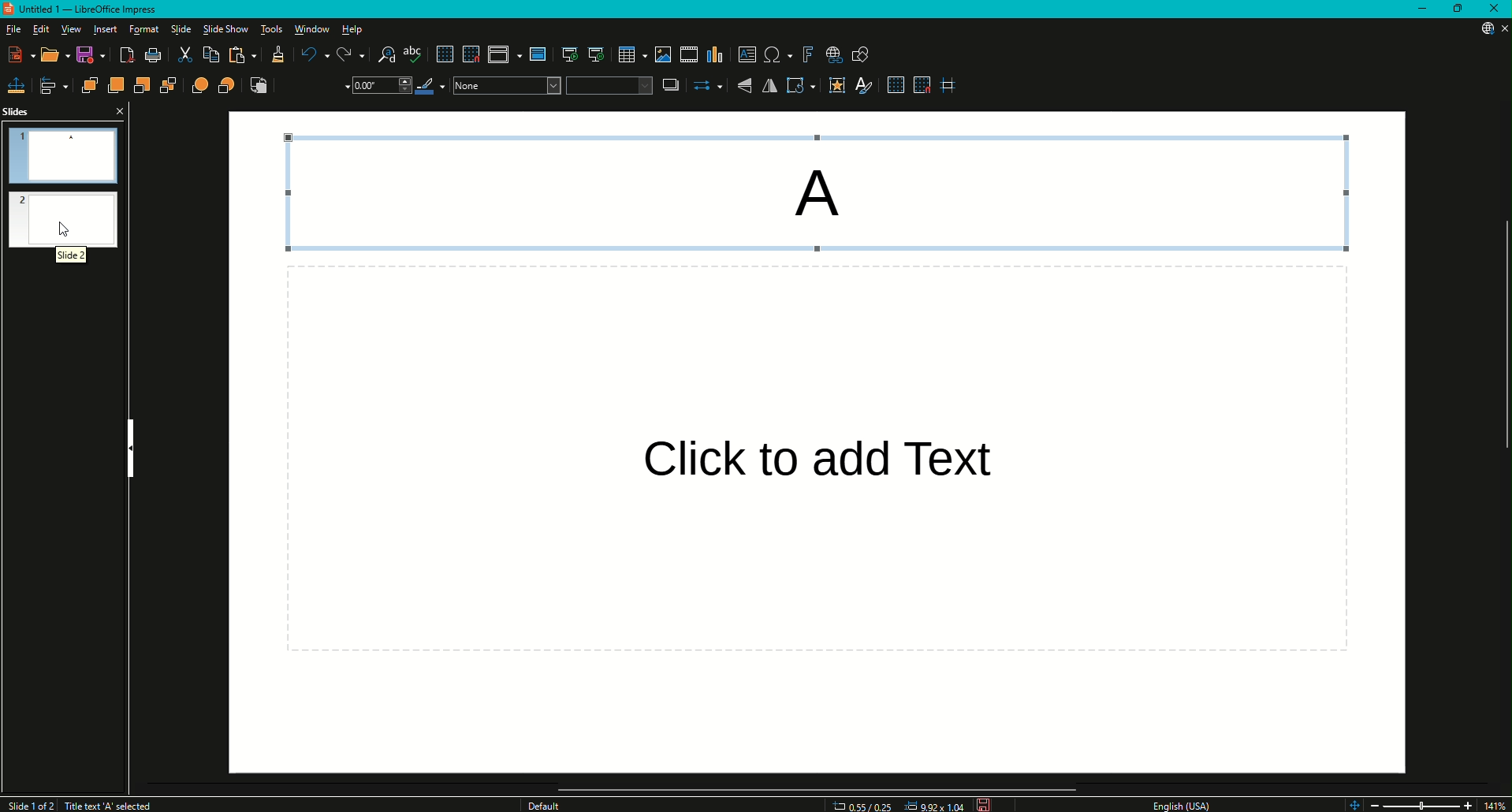  Describe the element at coordinates (1468, 803) in the screenshot. I see `Zoom In` at that location.